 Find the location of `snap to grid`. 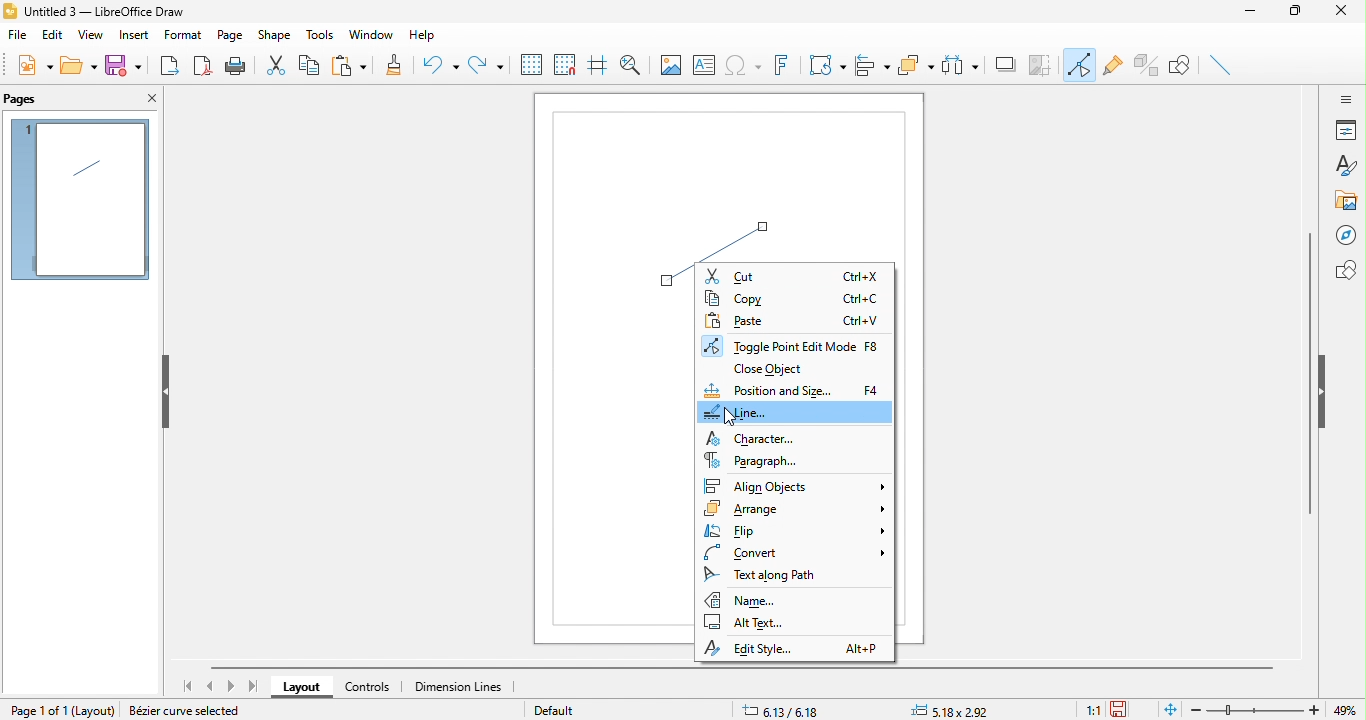

snap to grid is located at coordinates (564, 65).